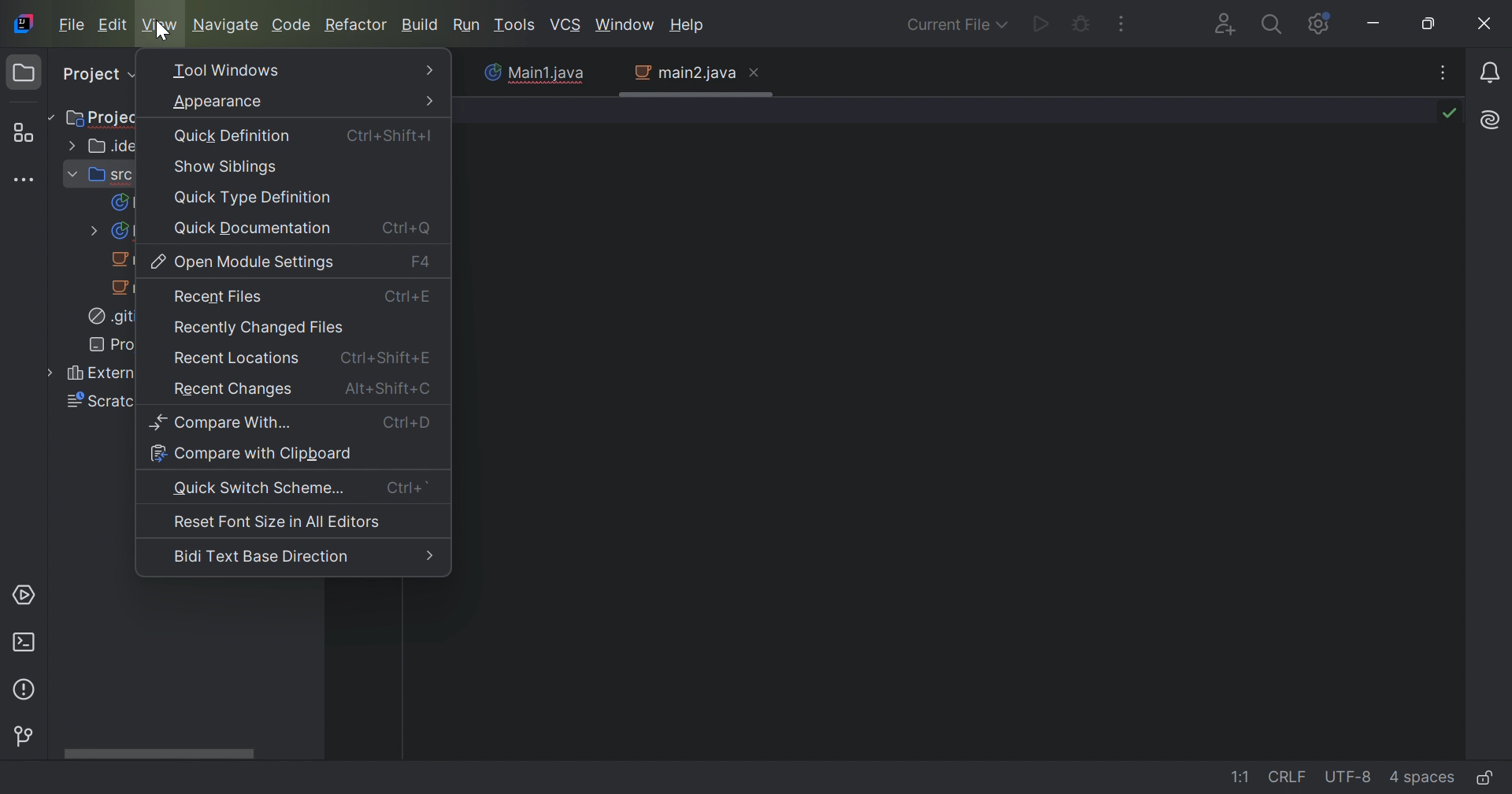  What do you see at coordinates (528, 73) in the screenshot?
I see `Main1.java` at bounding box center [528, 73].